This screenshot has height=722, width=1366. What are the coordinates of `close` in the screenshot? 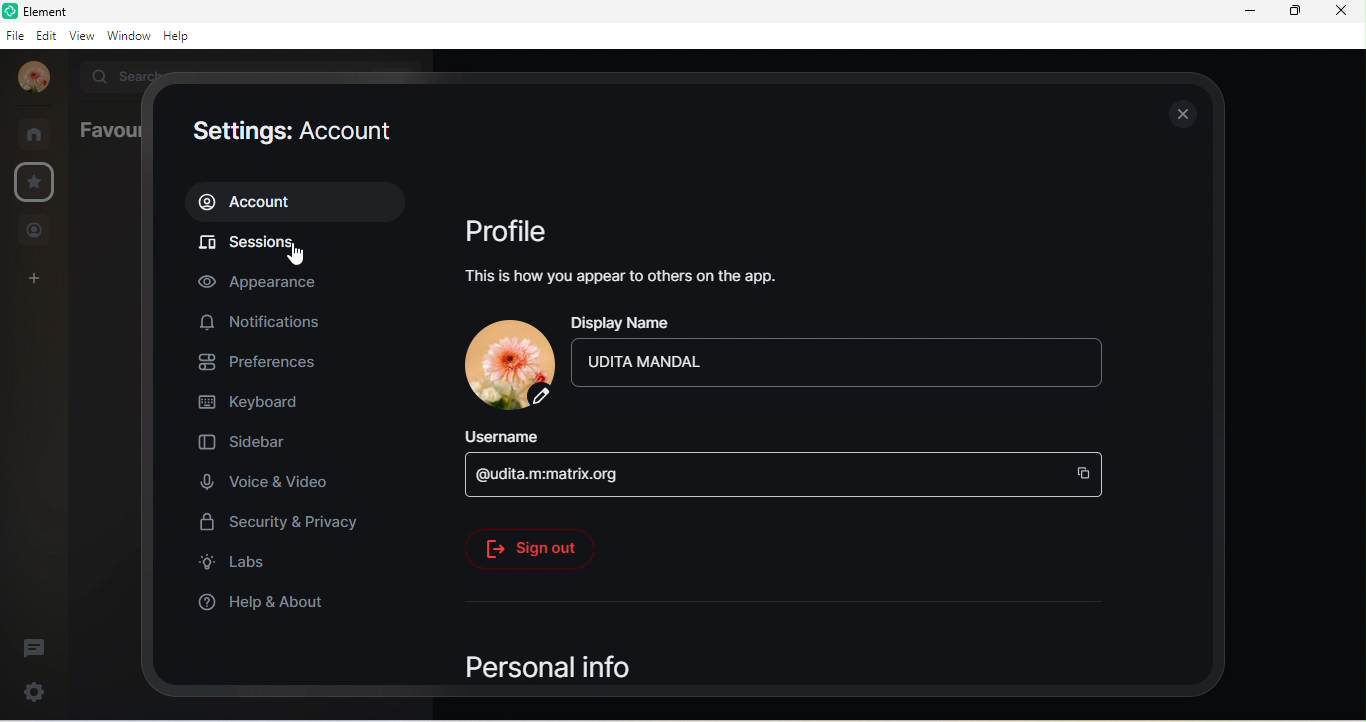 It's located at (1339, 11).